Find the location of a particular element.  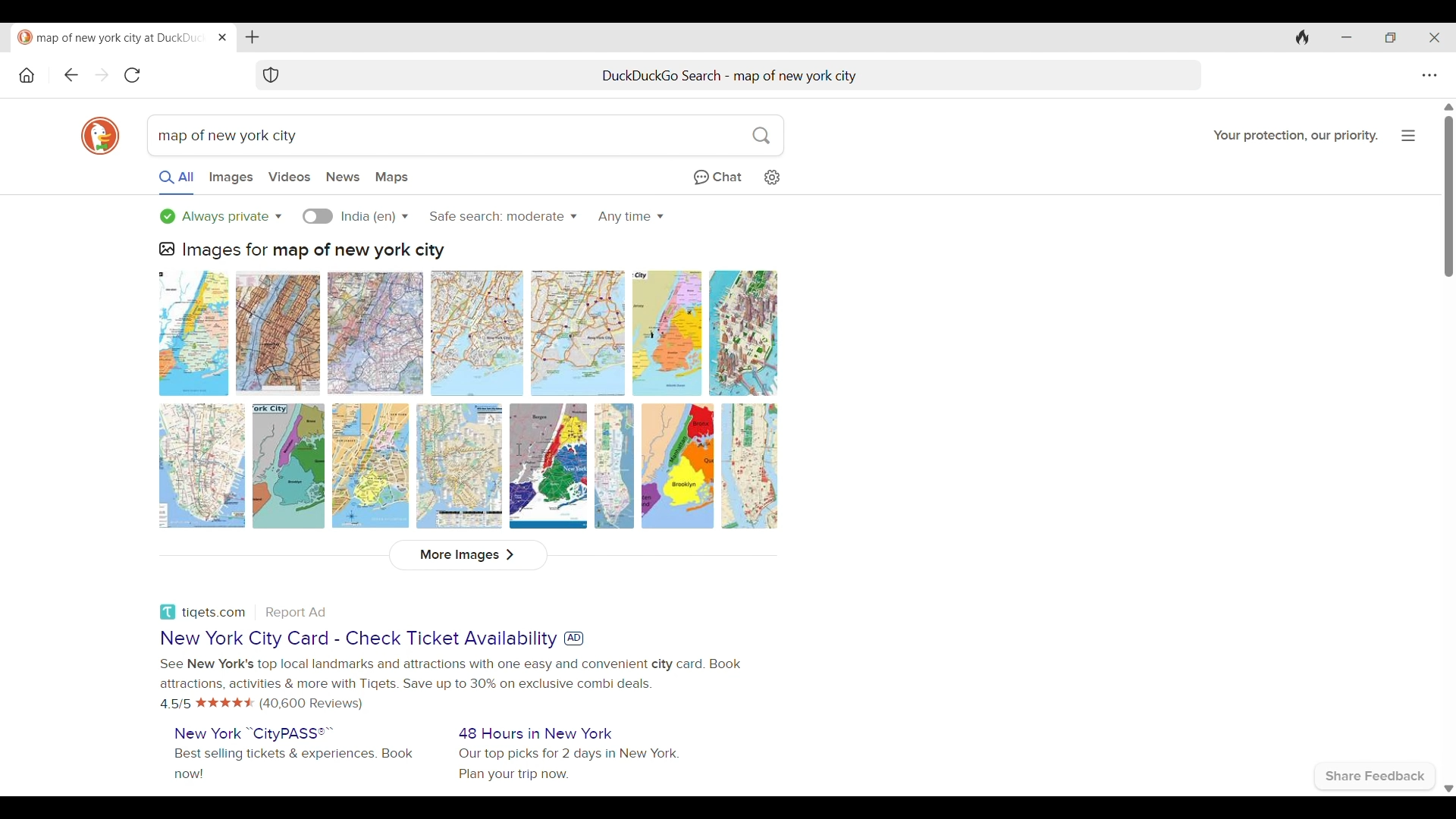

Search tab is located at coordinates (1029, 76).